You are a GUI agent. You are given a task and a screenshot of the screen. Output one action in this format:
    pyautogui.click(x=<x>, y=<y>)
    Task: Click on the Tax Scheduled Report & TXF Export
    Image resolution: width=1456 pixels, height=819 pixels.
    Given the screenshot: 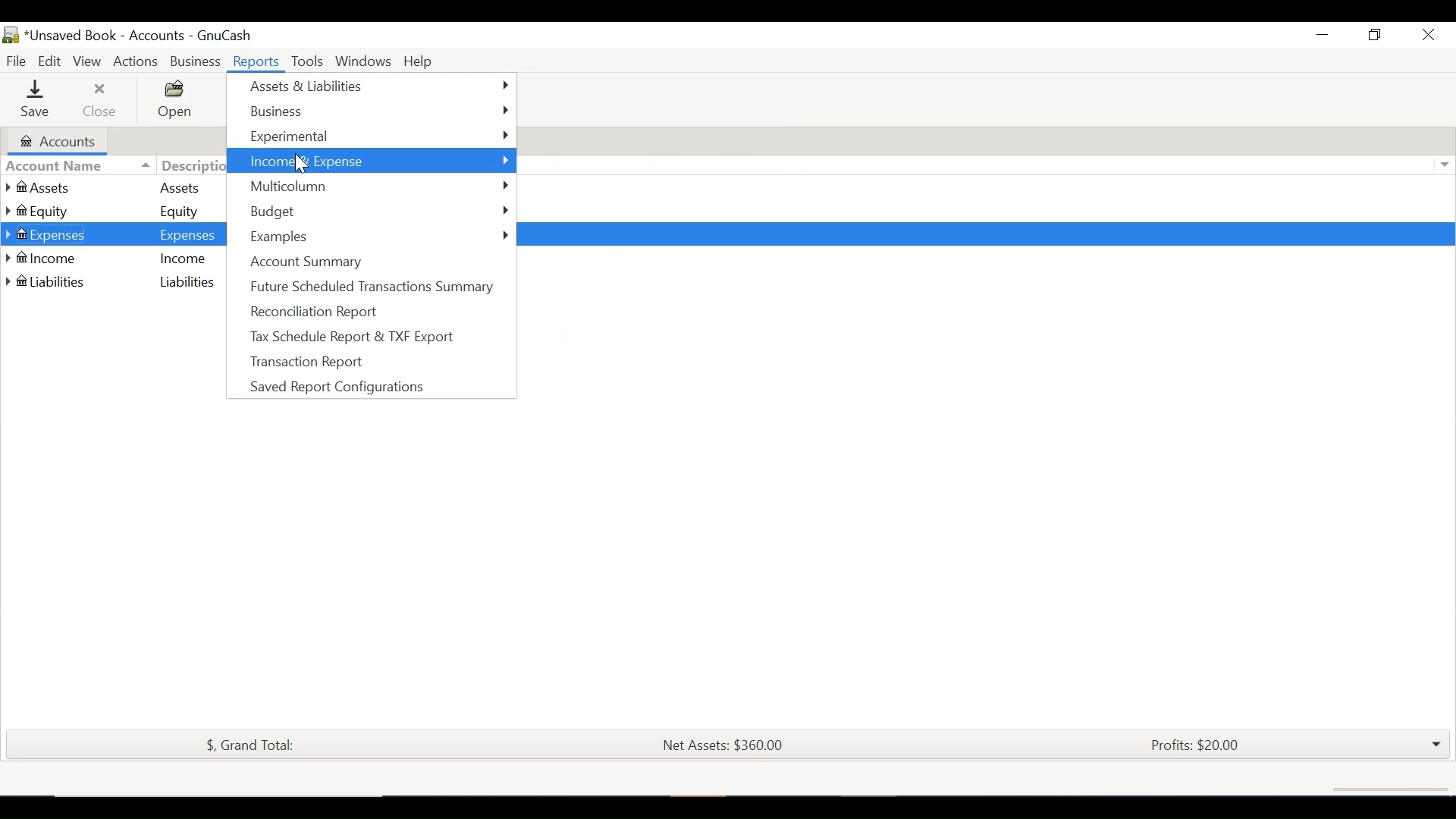 What is the action you would take?
    pyautogui.click(x=353, y=337)
    